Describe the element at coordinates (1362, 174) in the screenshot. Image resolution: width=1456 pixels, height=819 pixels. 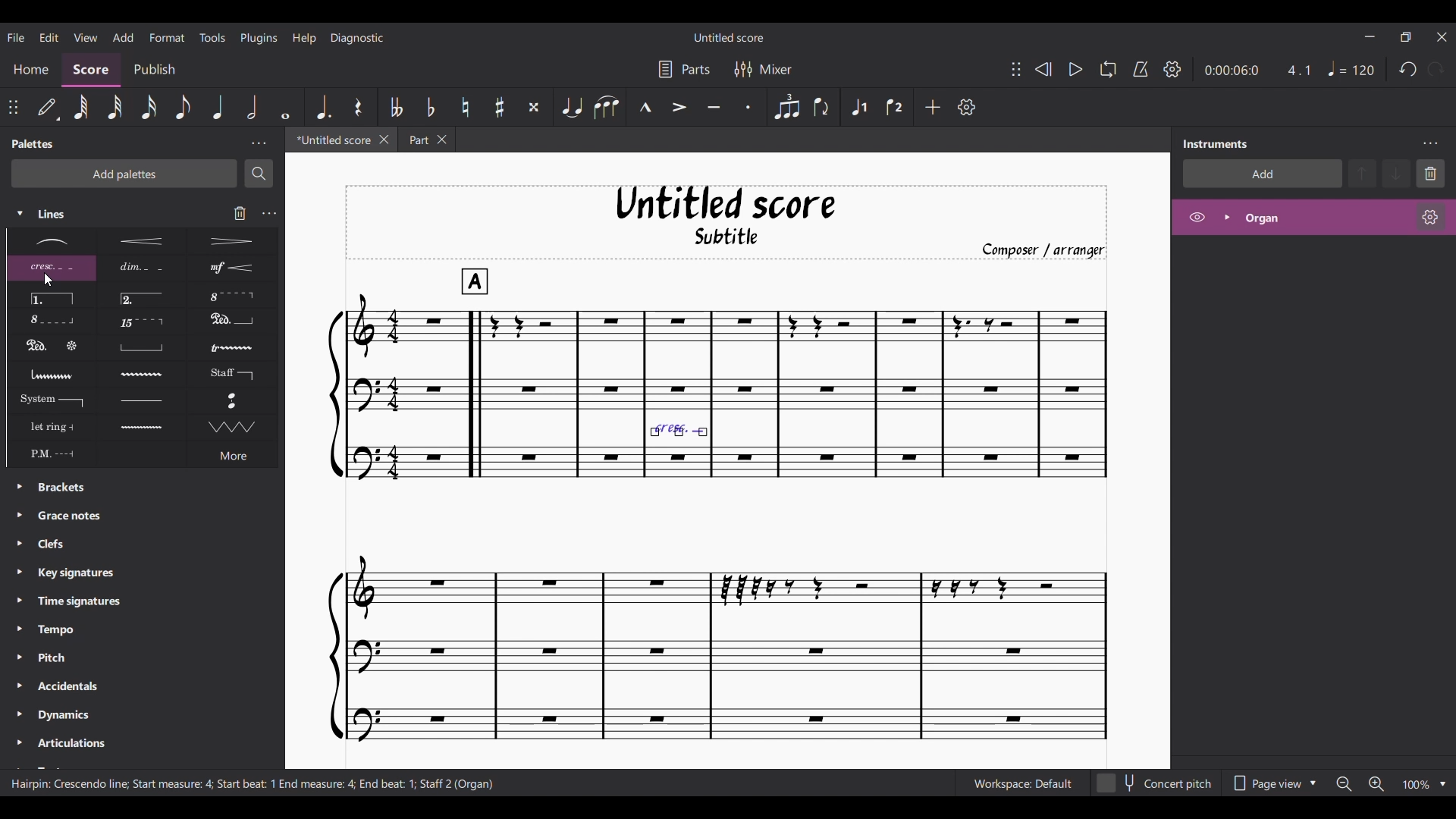
I see `Move up` at that location.